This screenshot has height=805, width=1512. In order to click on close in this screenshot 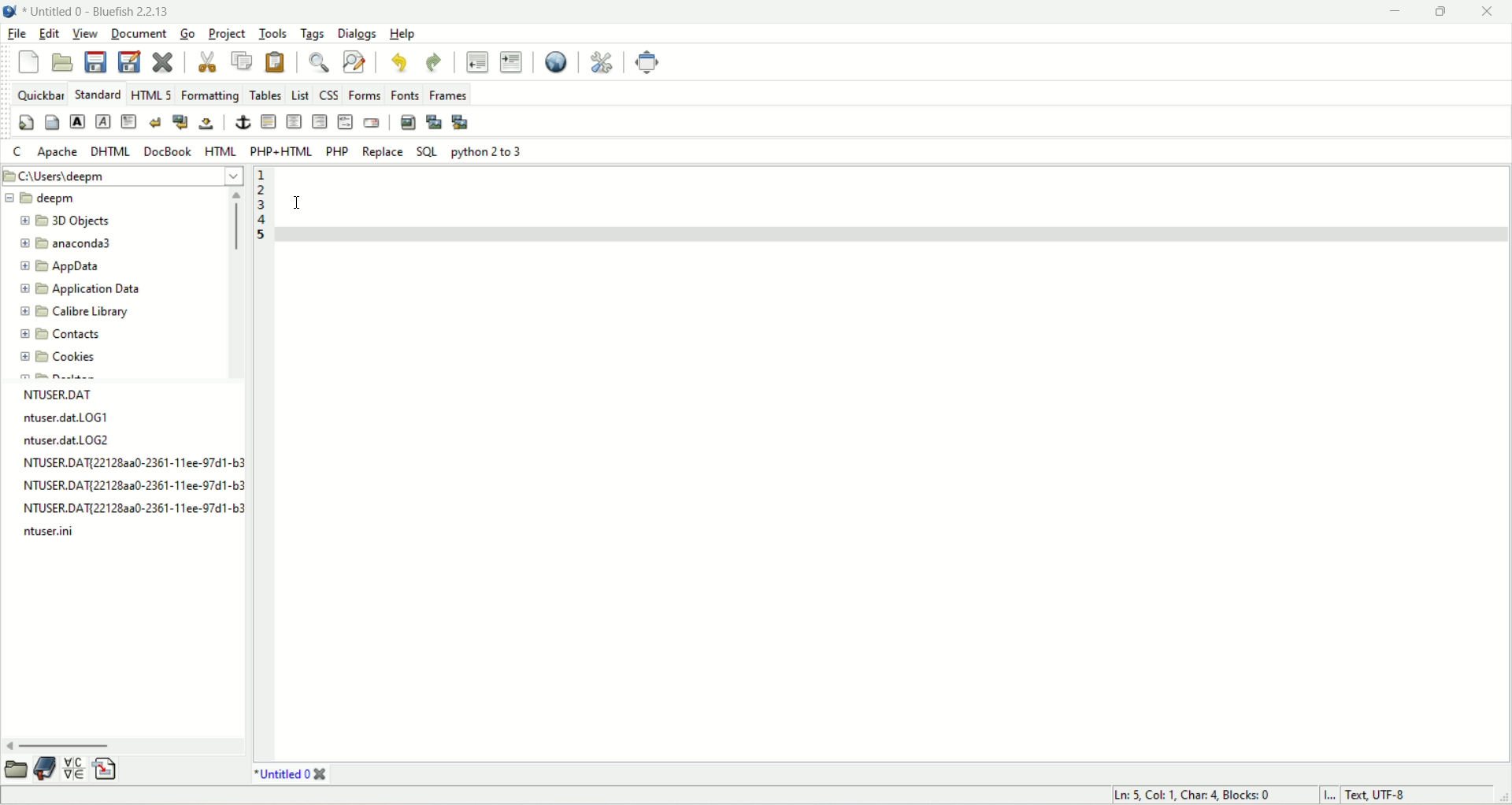, I will do `click(1489, 10)`.